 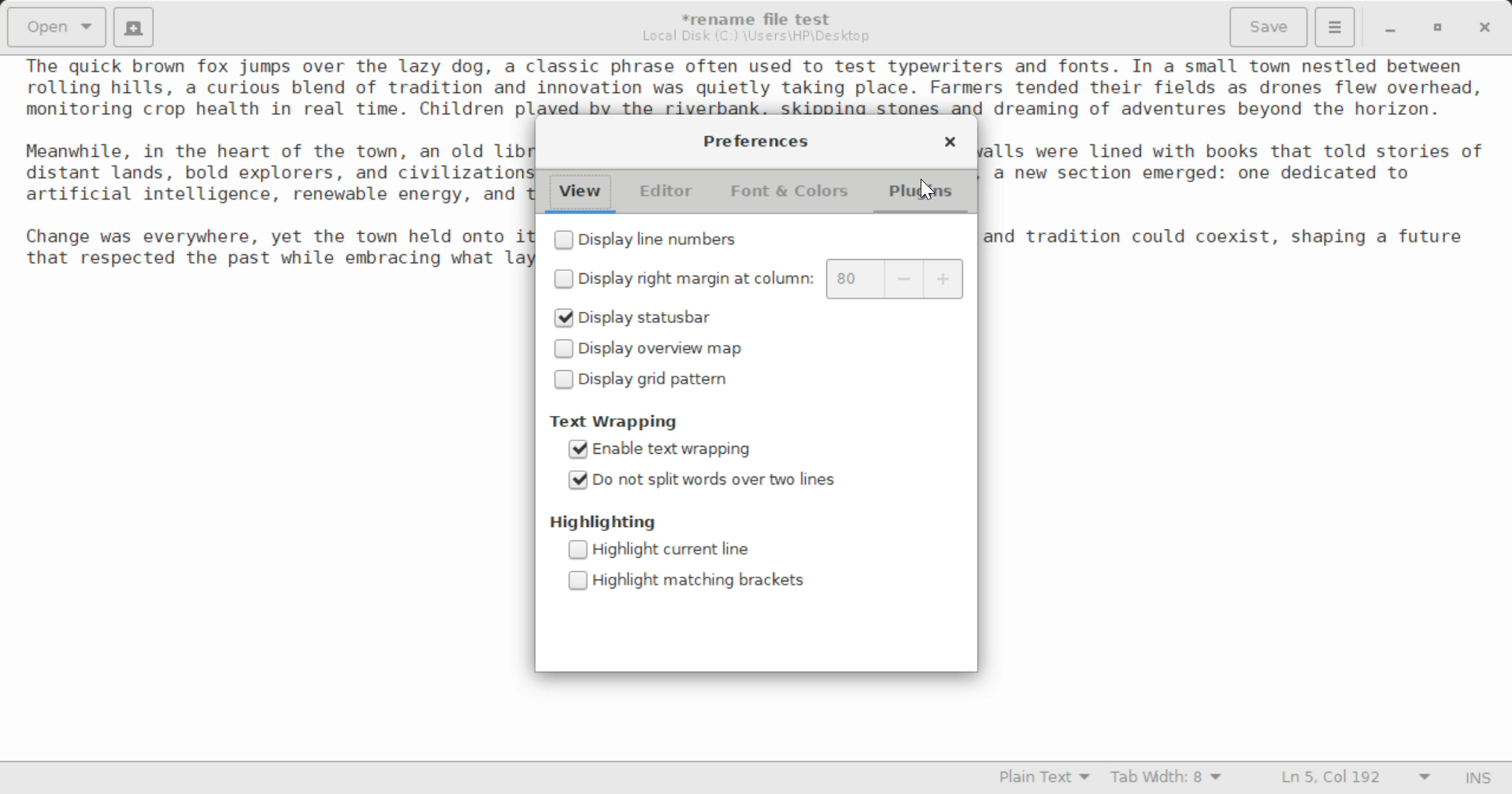 I want to click on Close Window, so click(x=950, y=144).